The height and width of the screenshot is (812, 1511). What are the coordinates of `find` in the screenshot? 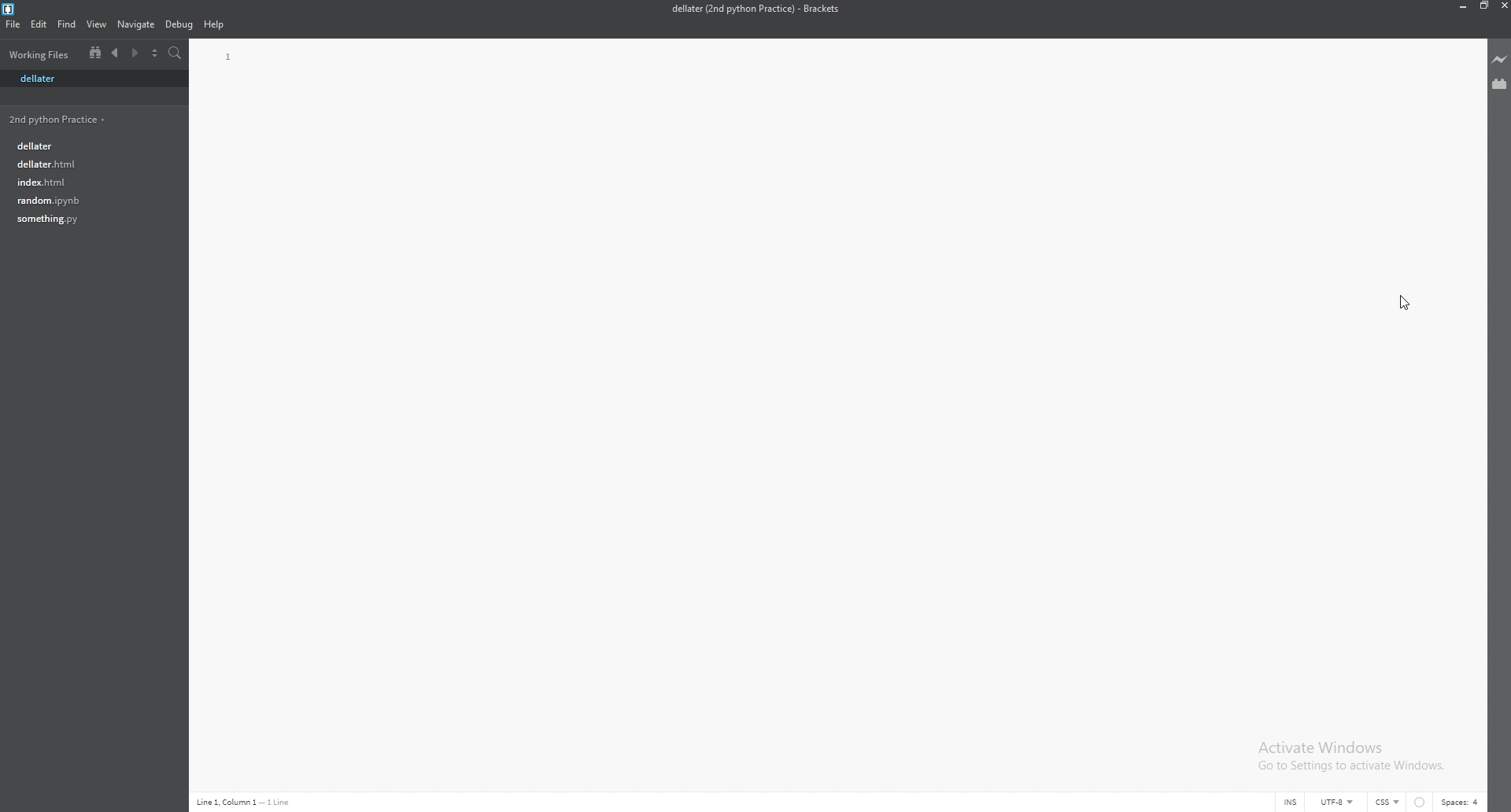 It's located at (68, 24).